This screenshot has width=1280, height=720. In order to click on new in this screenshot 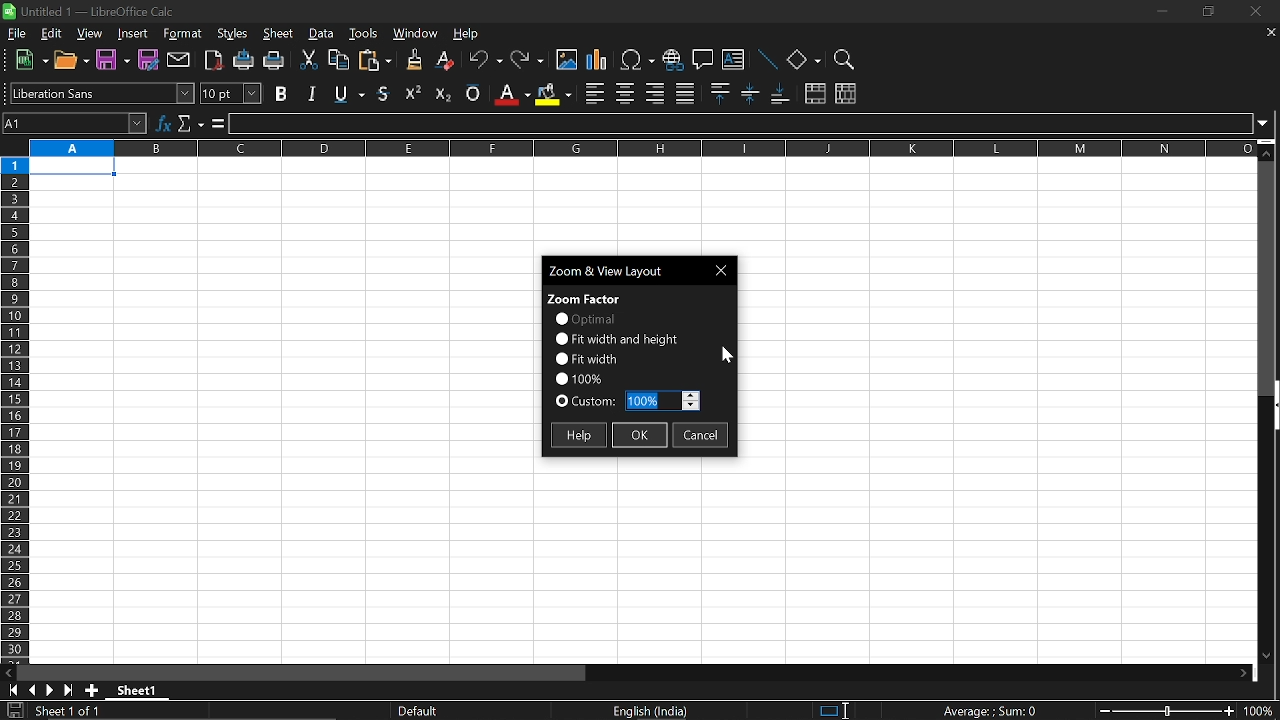, I will do `click(32, 61)`.